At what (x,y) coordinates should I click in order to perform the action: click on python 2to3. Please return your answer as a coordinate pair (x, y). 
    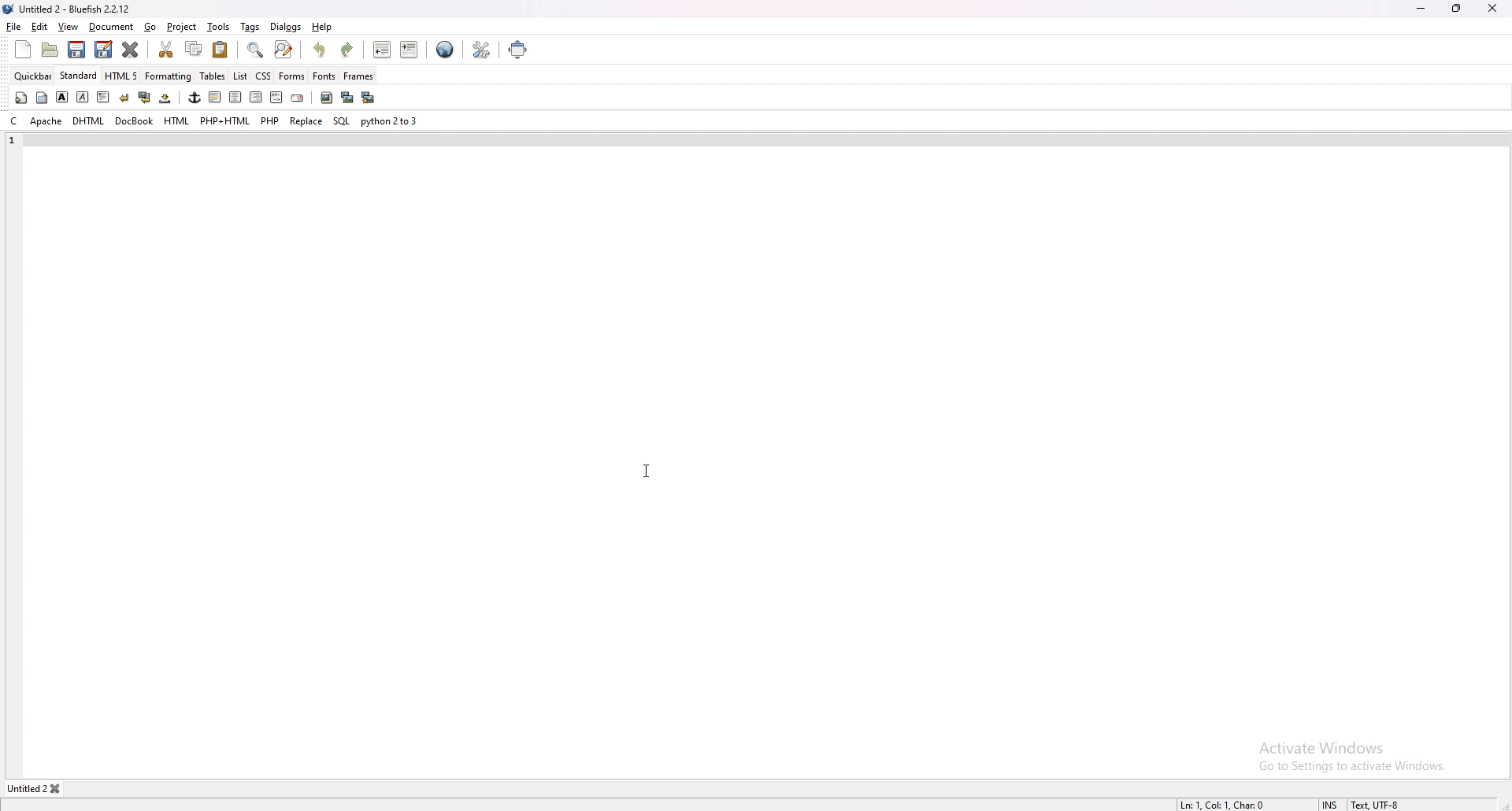
    Looking at the image, I should click on (389, 120).